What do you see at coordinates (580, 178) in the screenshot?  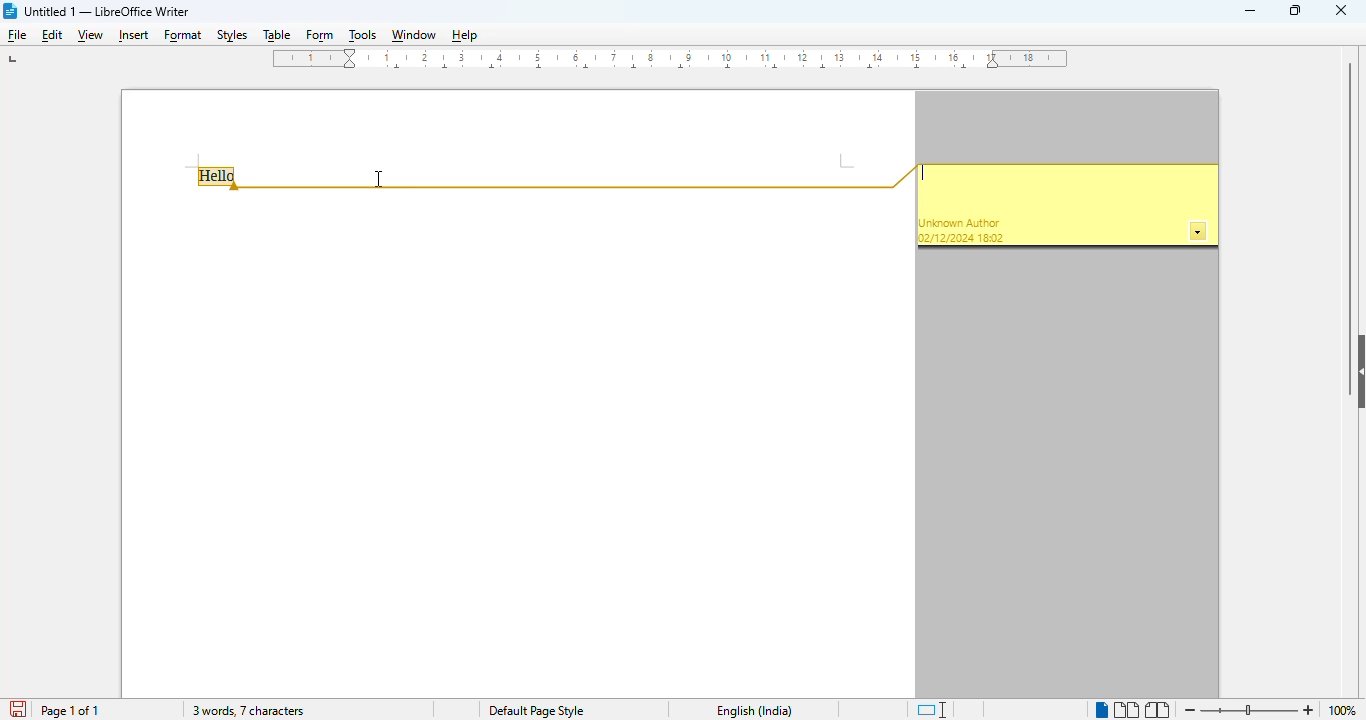 I see `comment anchor` at bounding box center [580, 178].